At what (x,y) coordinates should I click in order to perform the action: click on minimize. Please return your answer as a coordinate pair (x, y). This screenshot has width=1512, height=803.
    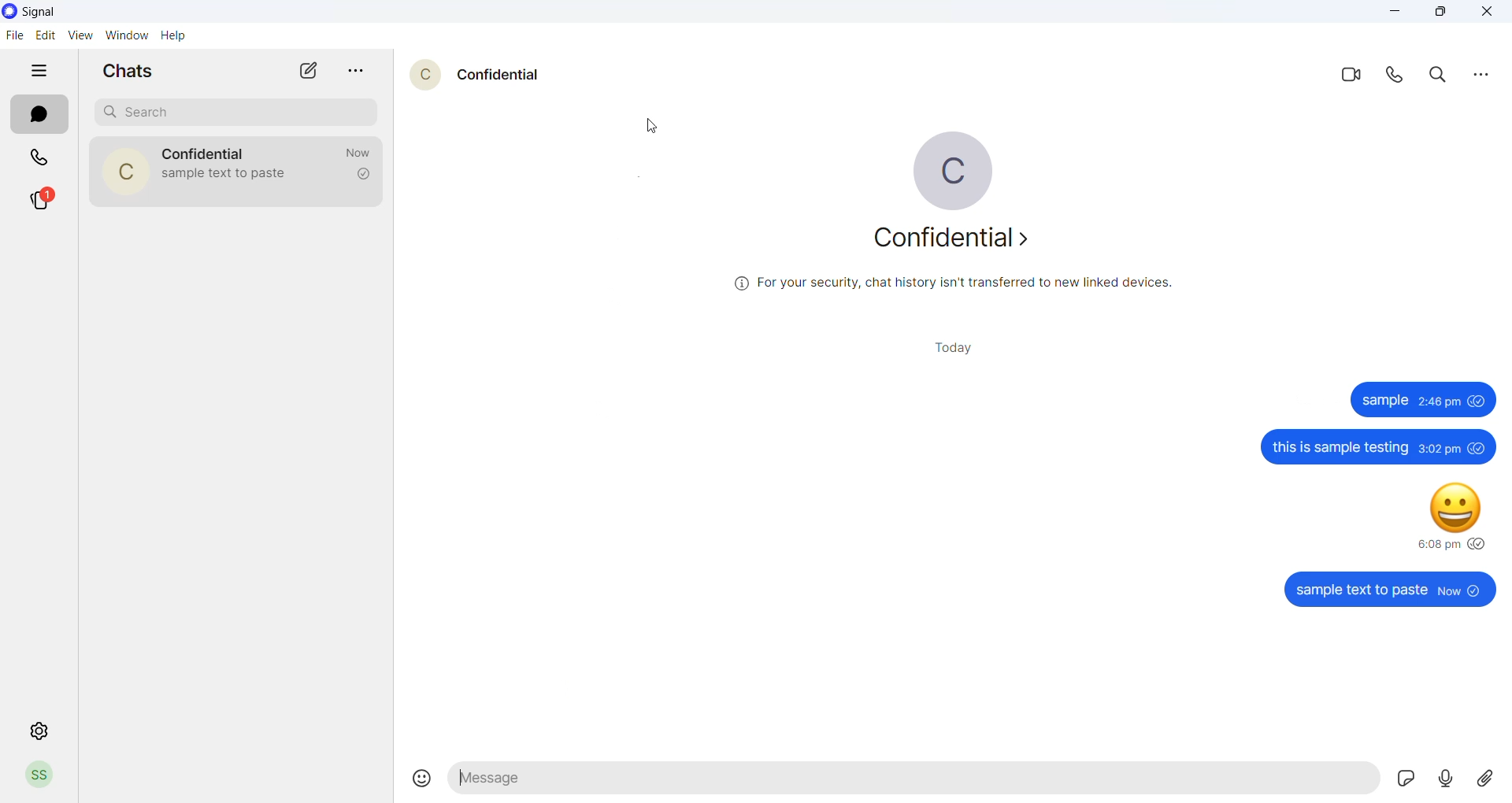
    Looking at the image, I should click on (1398, 13).